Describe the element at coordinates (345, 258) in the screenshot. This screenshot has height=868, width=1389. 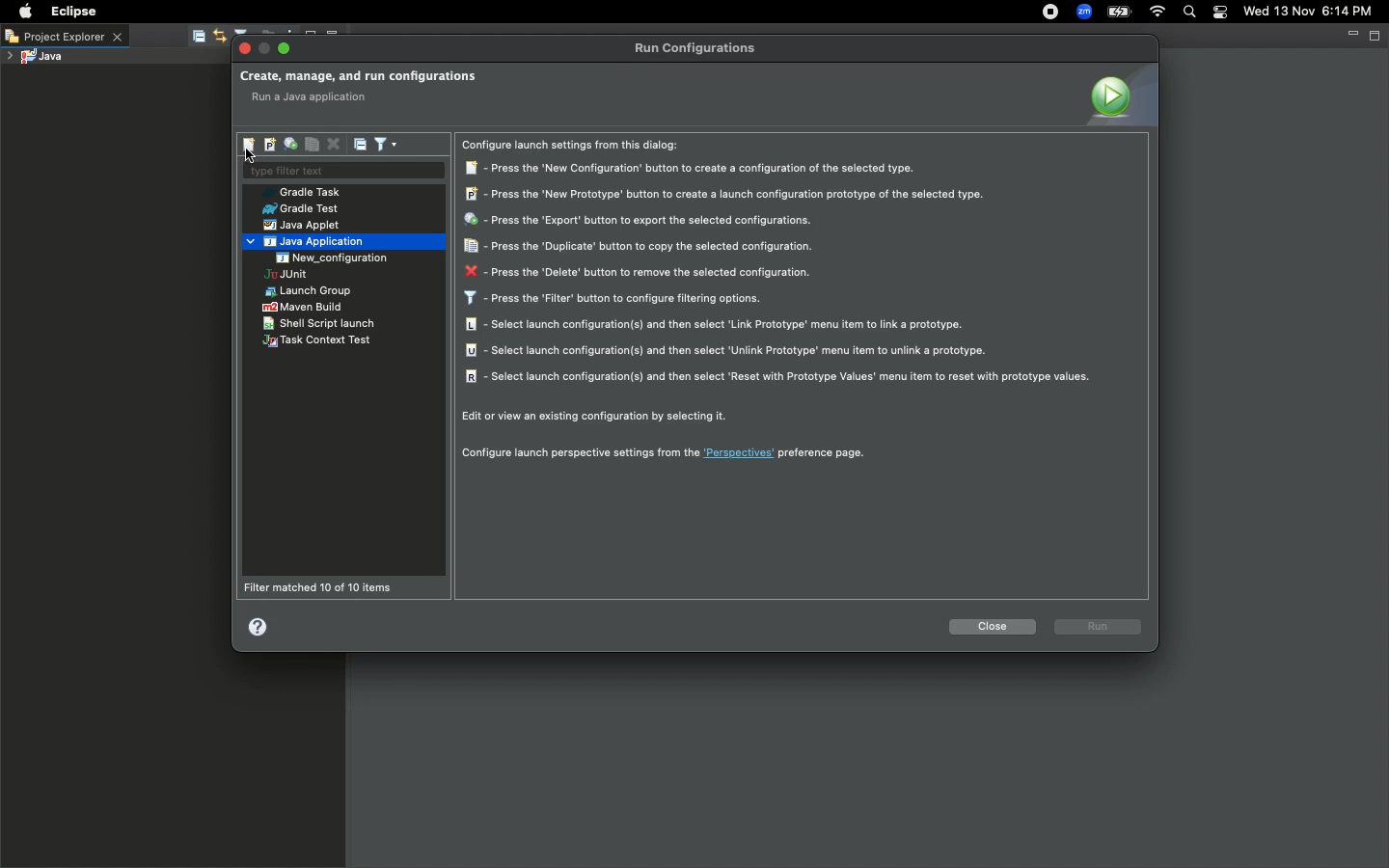
I see `New configuration` at that location.